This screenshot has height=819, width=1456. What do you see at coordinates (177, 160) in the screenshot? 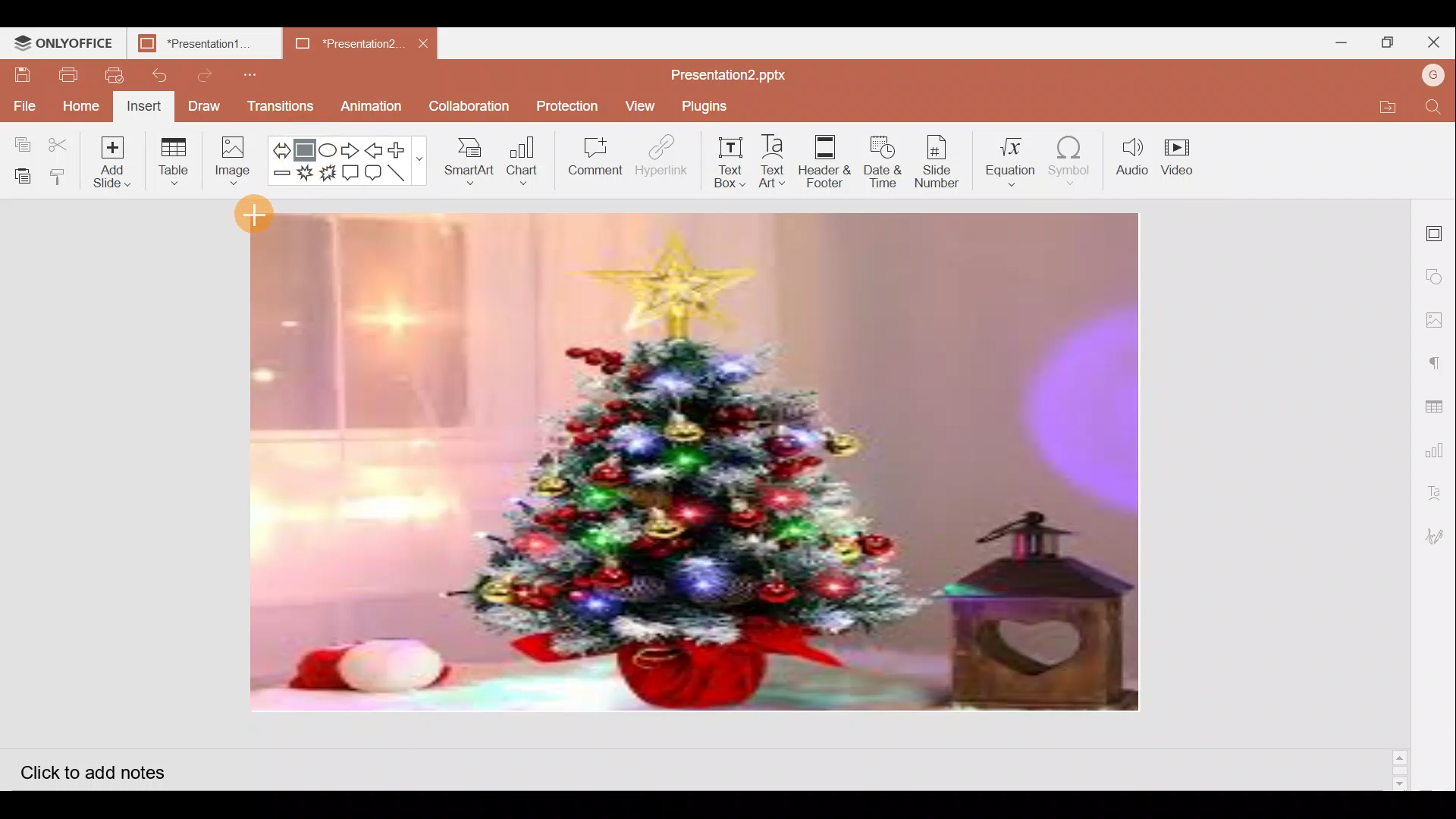
I see `Table` at bounding box center [177, 160].